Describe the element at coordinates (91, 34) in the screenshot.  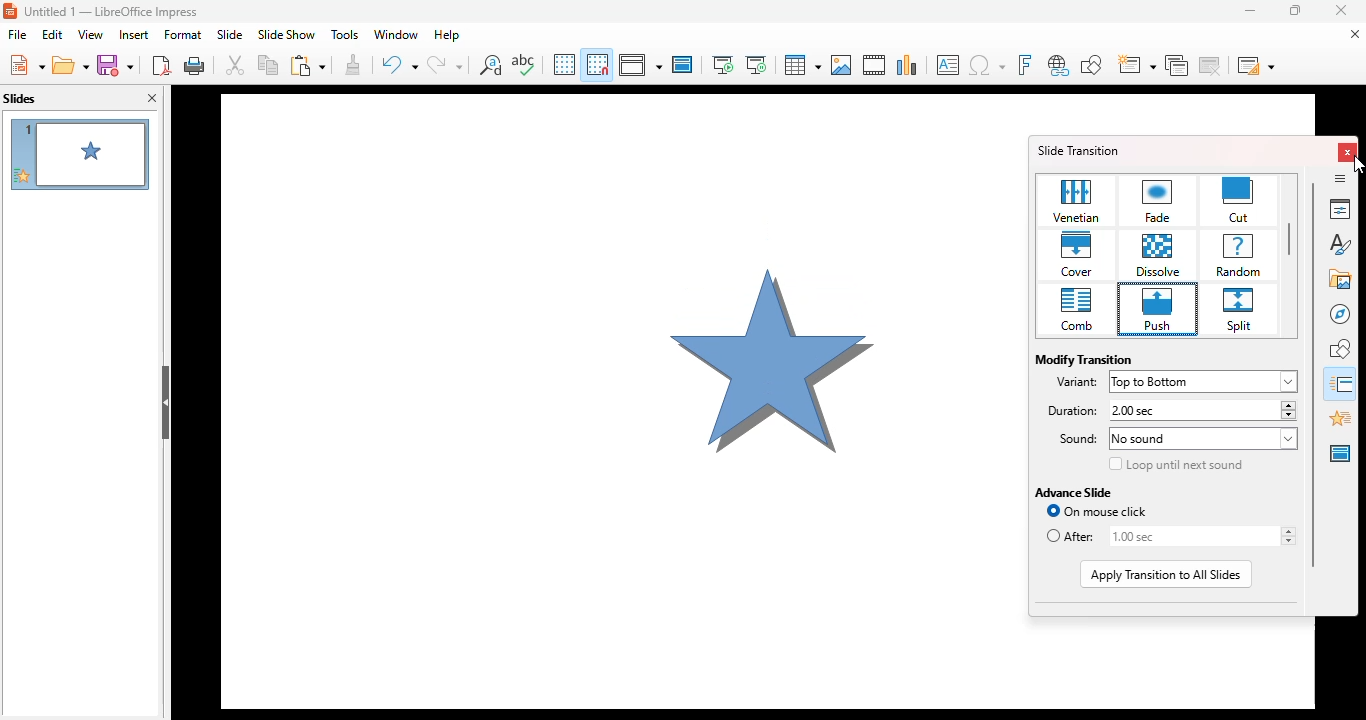
I see `view` at that location.